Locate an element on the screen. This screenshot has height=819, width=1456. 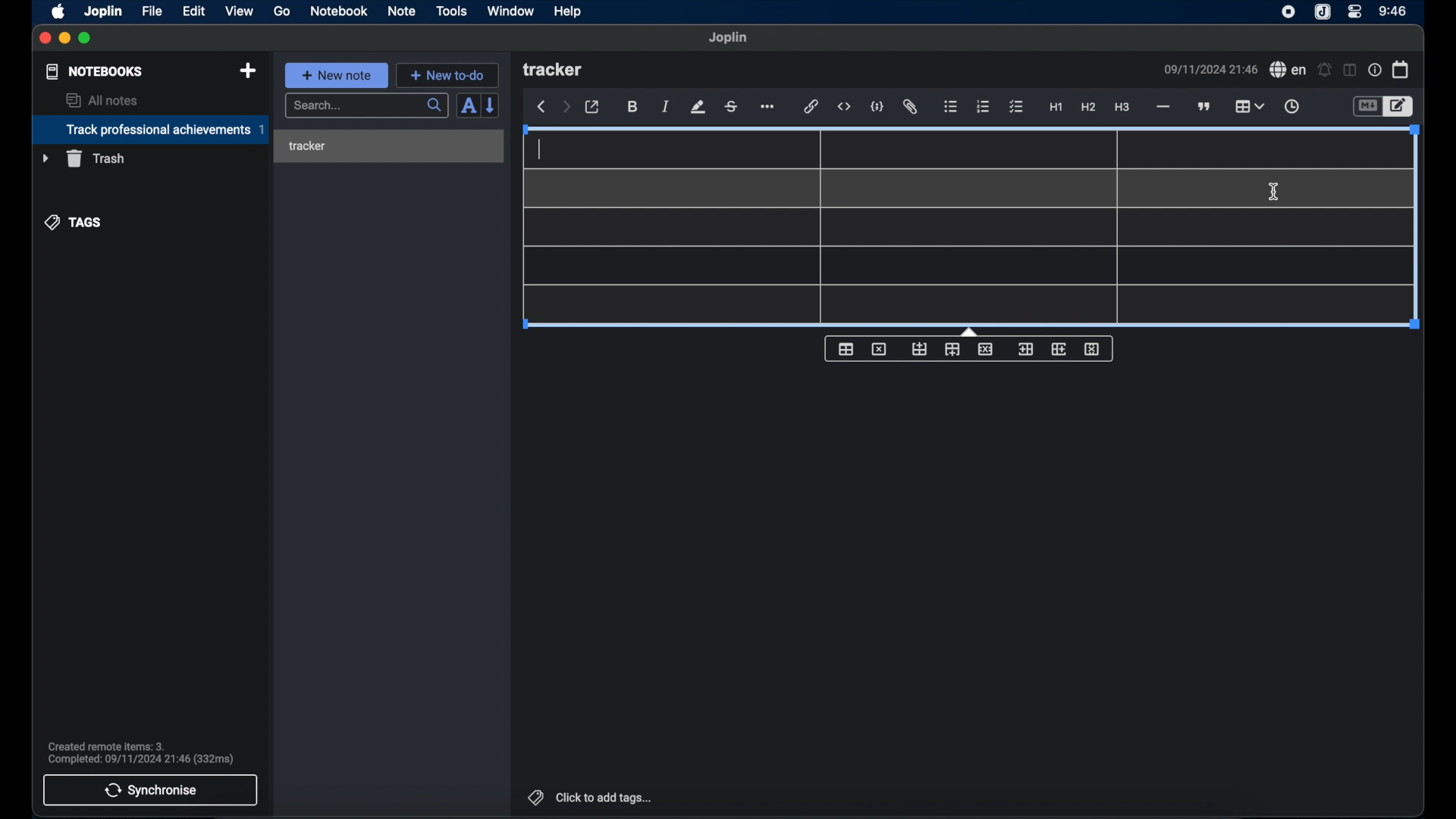
minimize is located at coordinates (65, 39).